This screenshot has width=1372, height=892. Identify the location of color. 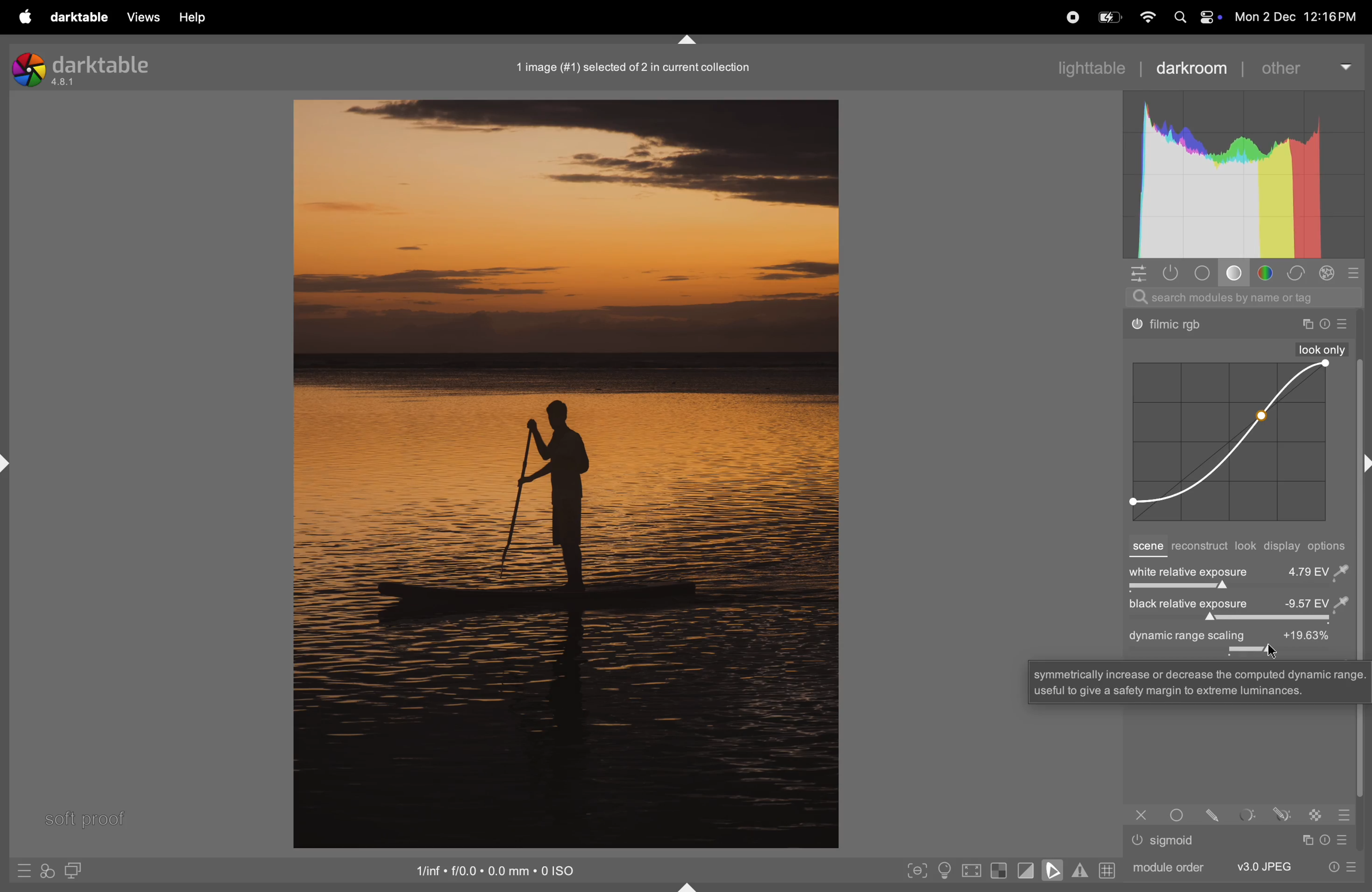
(1269, 273).